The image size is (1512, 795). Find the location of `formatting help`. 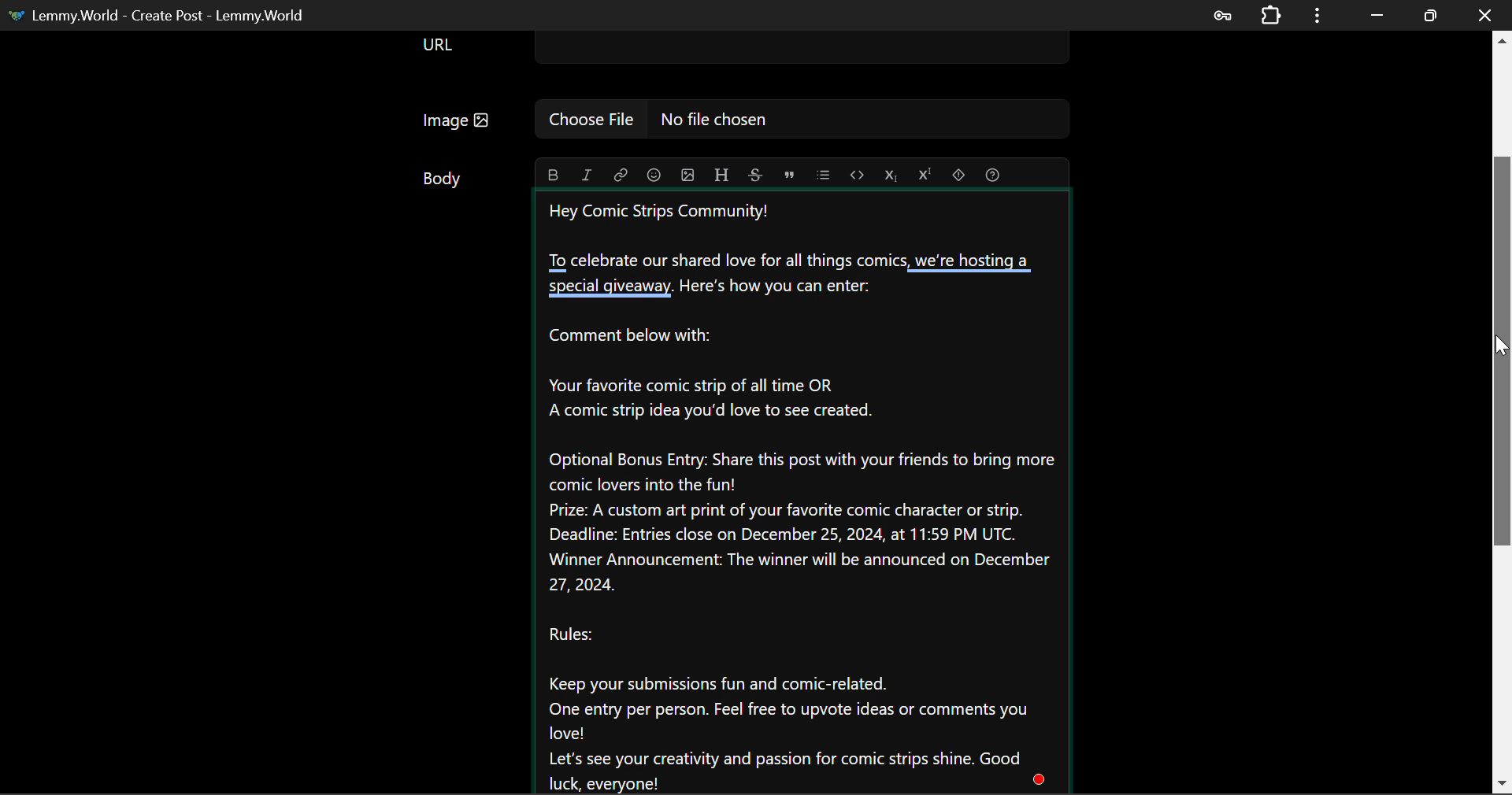

formatting help is located at coordinates (994, 176).